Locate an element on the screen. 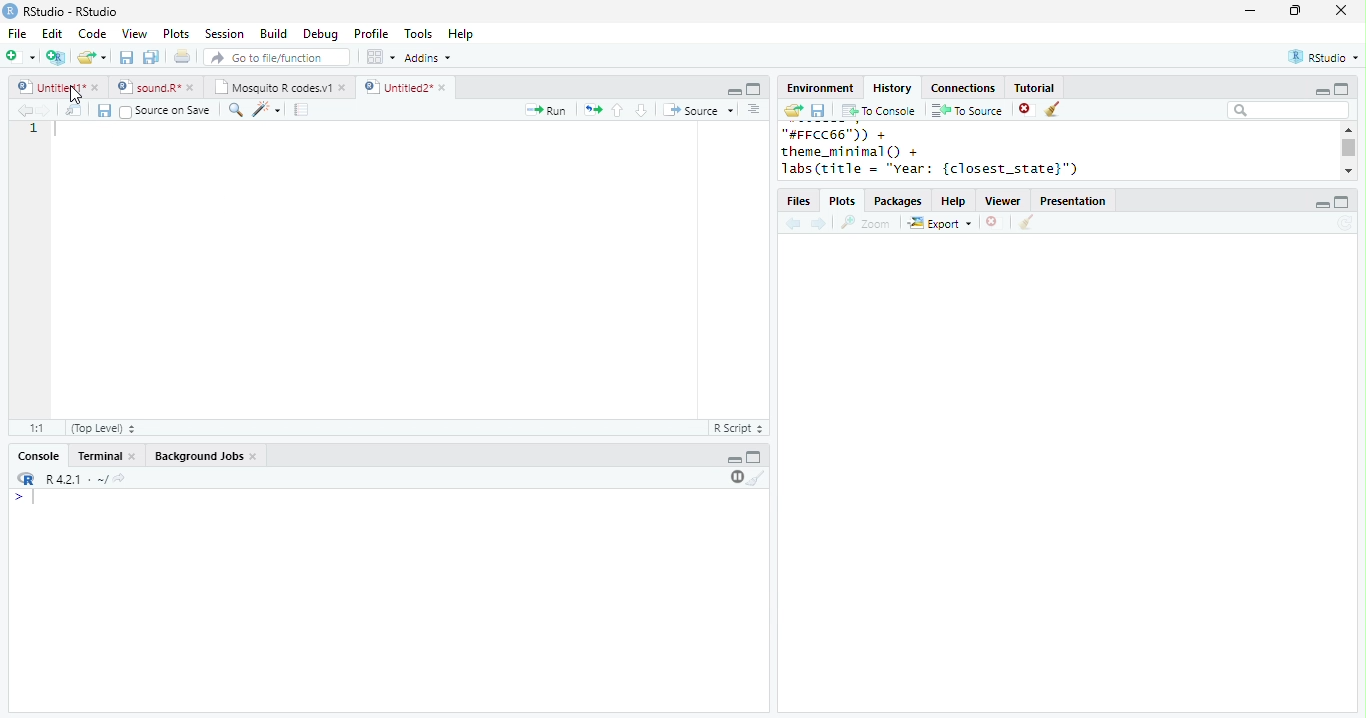 The width and height of the screenshot is (1366, 718). Untitled 1 is located at coordinates (48, 86).